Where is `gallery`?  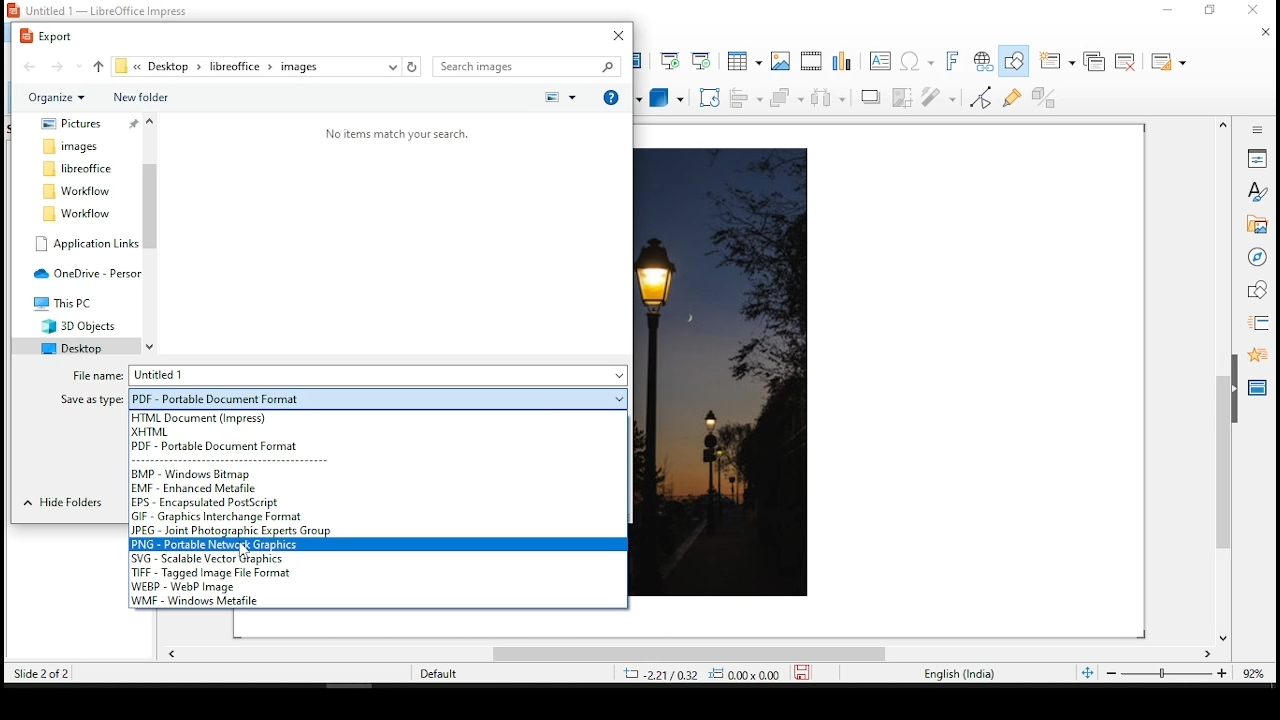
gallery is located at coordinates (1257, 225).